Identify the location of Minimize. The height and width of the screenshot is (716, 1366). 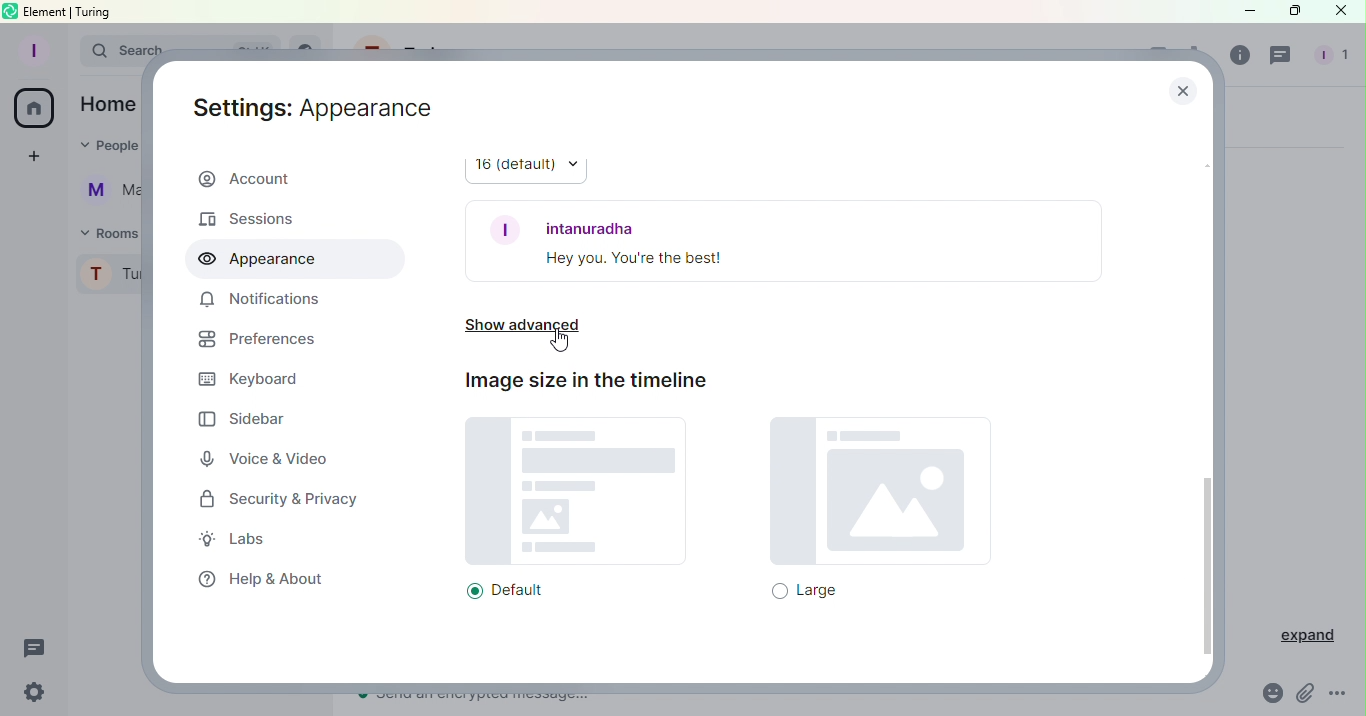
(1242, 10).